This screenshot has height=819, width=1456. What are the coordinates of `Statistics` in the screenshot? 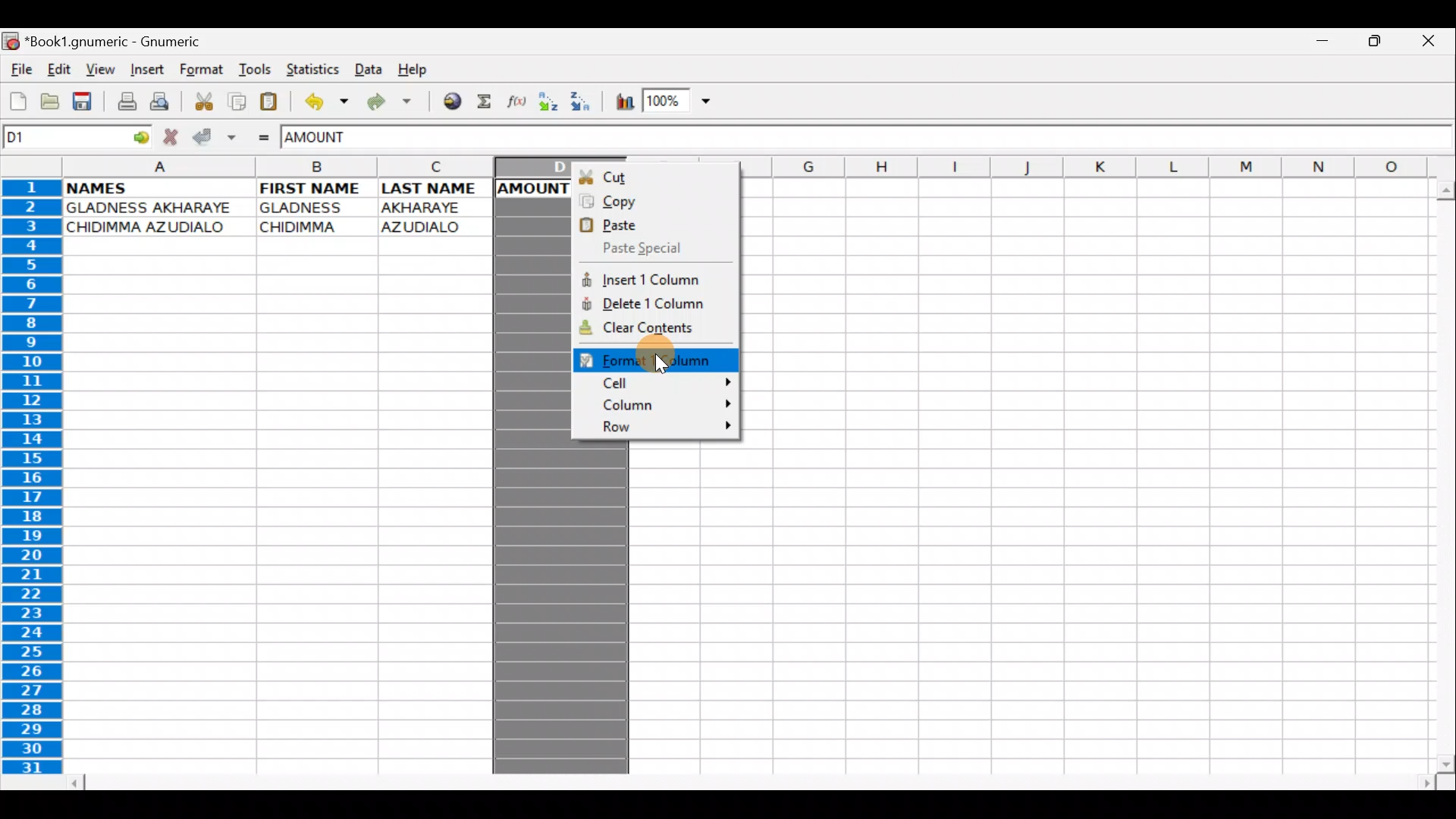 It's located at (309, 69).